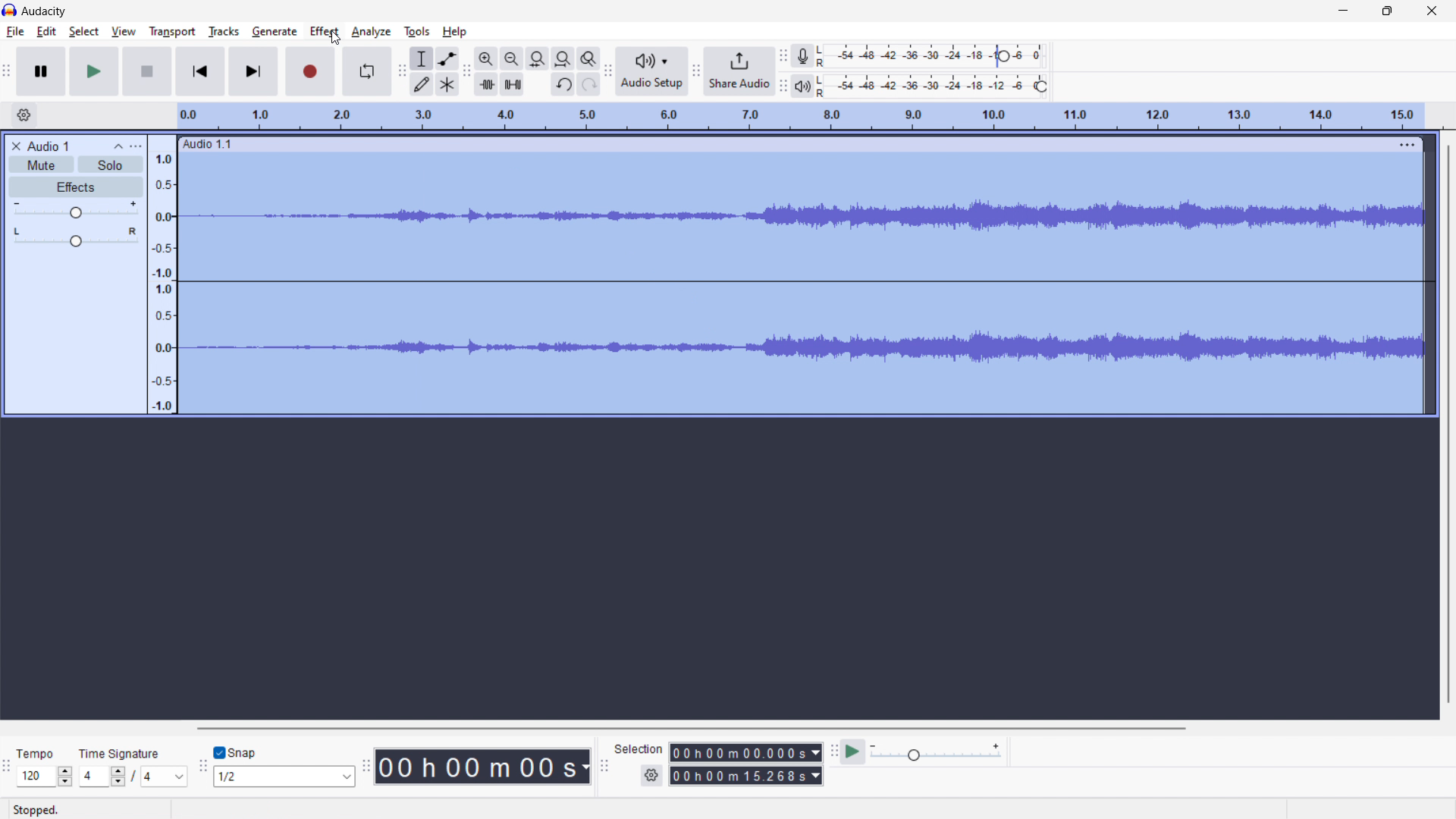 This screenshot has width=1456, height=819. What do you see at coordinates (84, 32) in the screenshot?
I see `select` at bounding box center [84, 32].